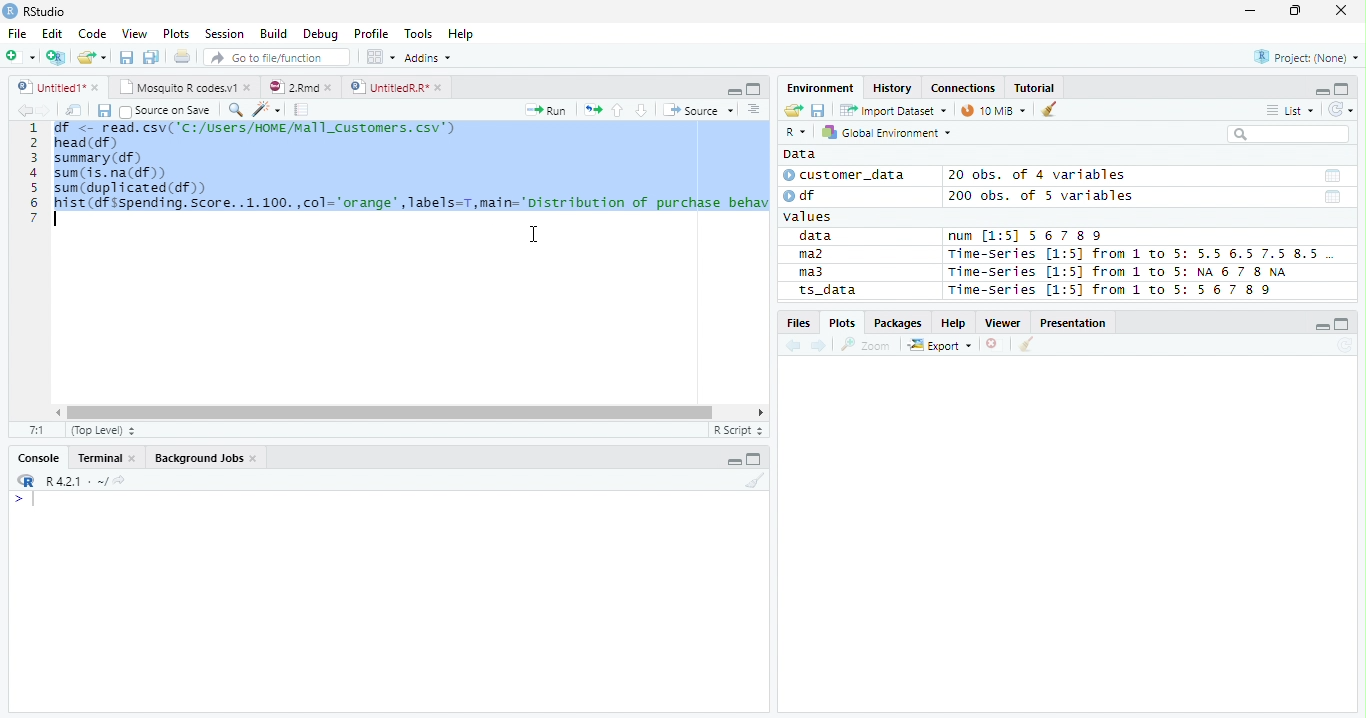 This screenshot has width=1366, height=718. What do you see at coordinates (1320, 90) in the screenshot?
I see `Minimze` at bounding box center [1320, 90].